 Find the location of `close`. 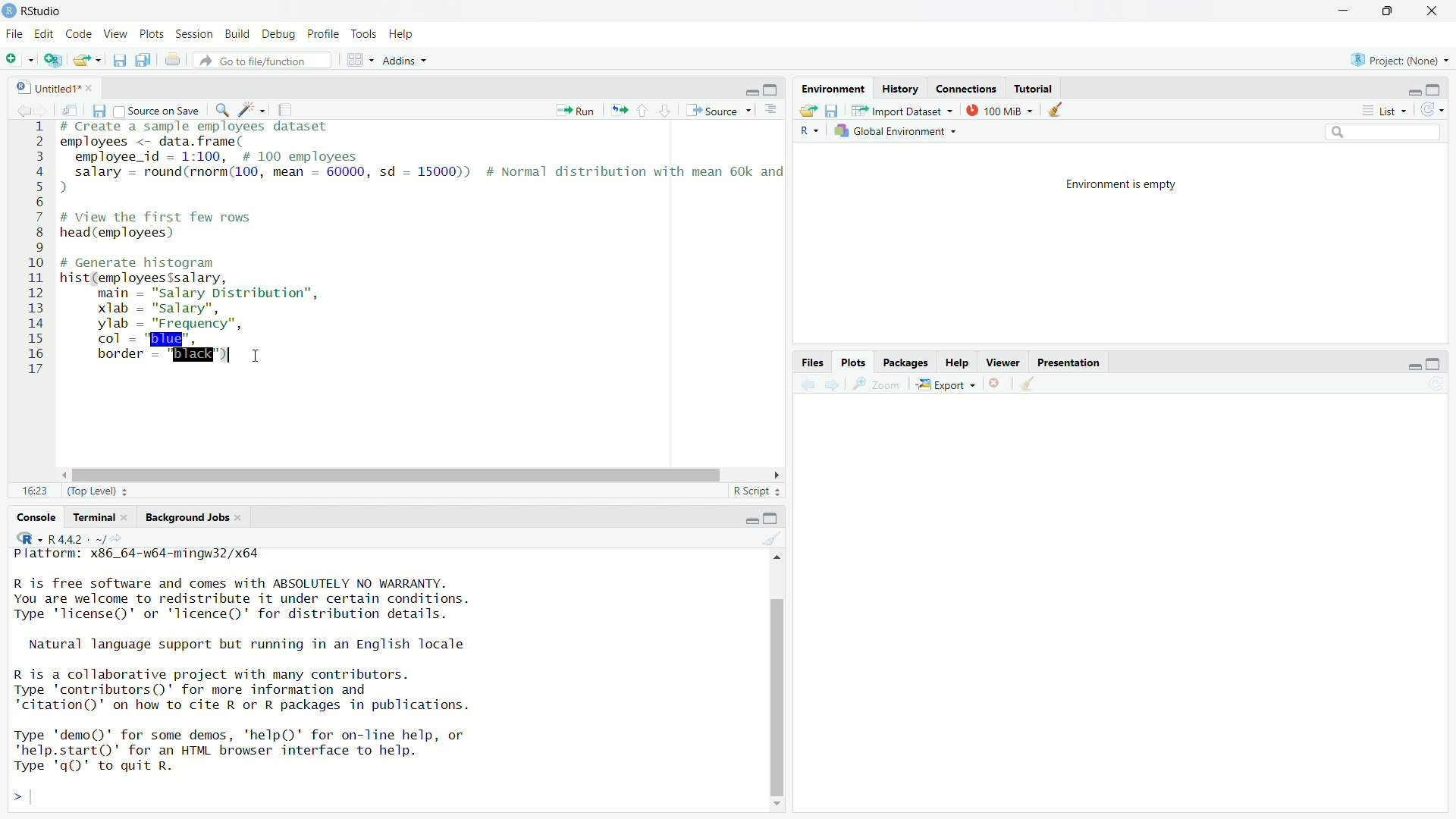

close is located at coordinates (1433, 11).